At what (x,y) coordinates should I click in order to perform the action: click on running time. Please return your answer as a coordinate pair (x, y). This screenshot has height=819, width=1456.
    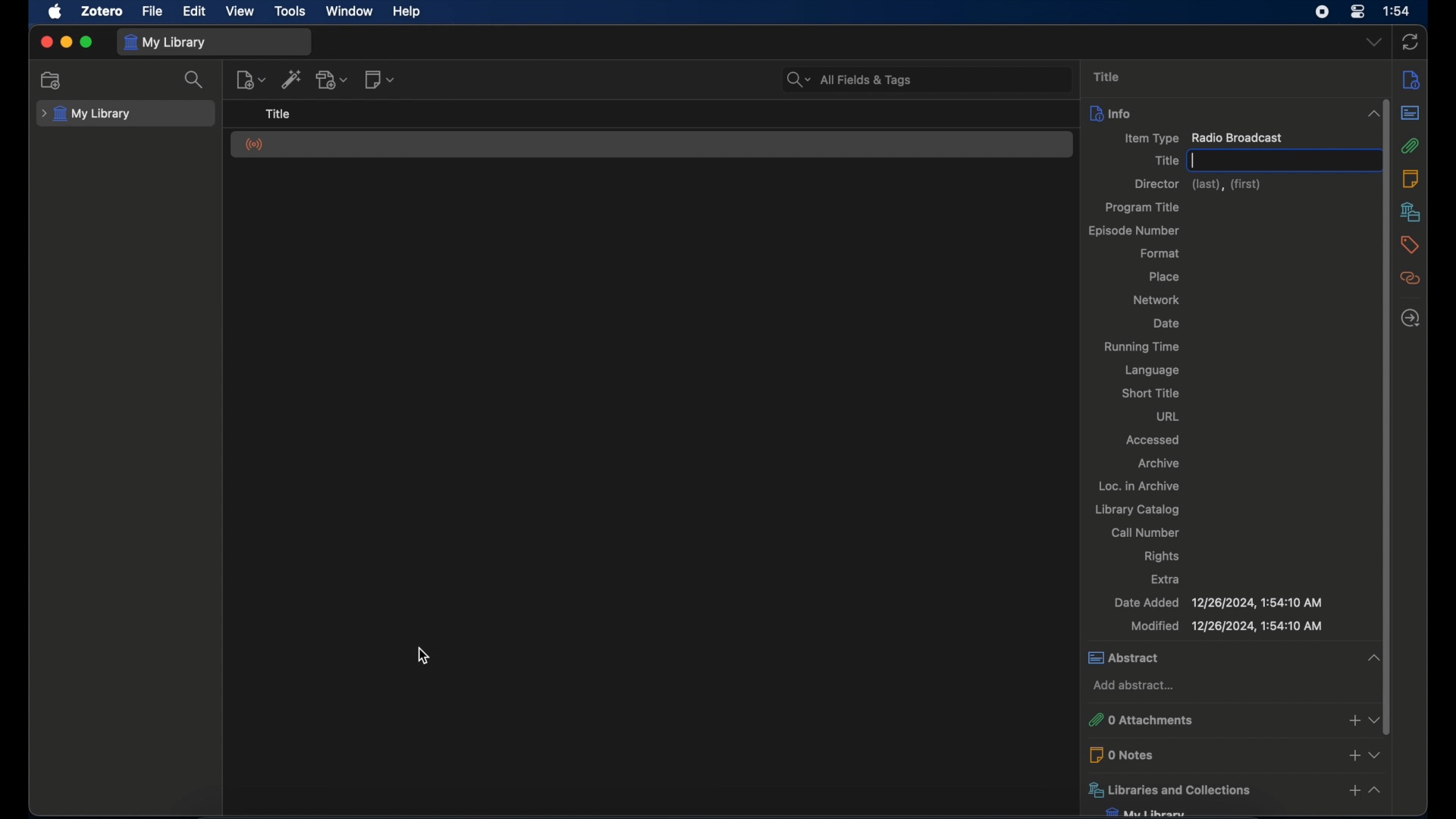
    Looking at the image, I should click on (1141, 347).